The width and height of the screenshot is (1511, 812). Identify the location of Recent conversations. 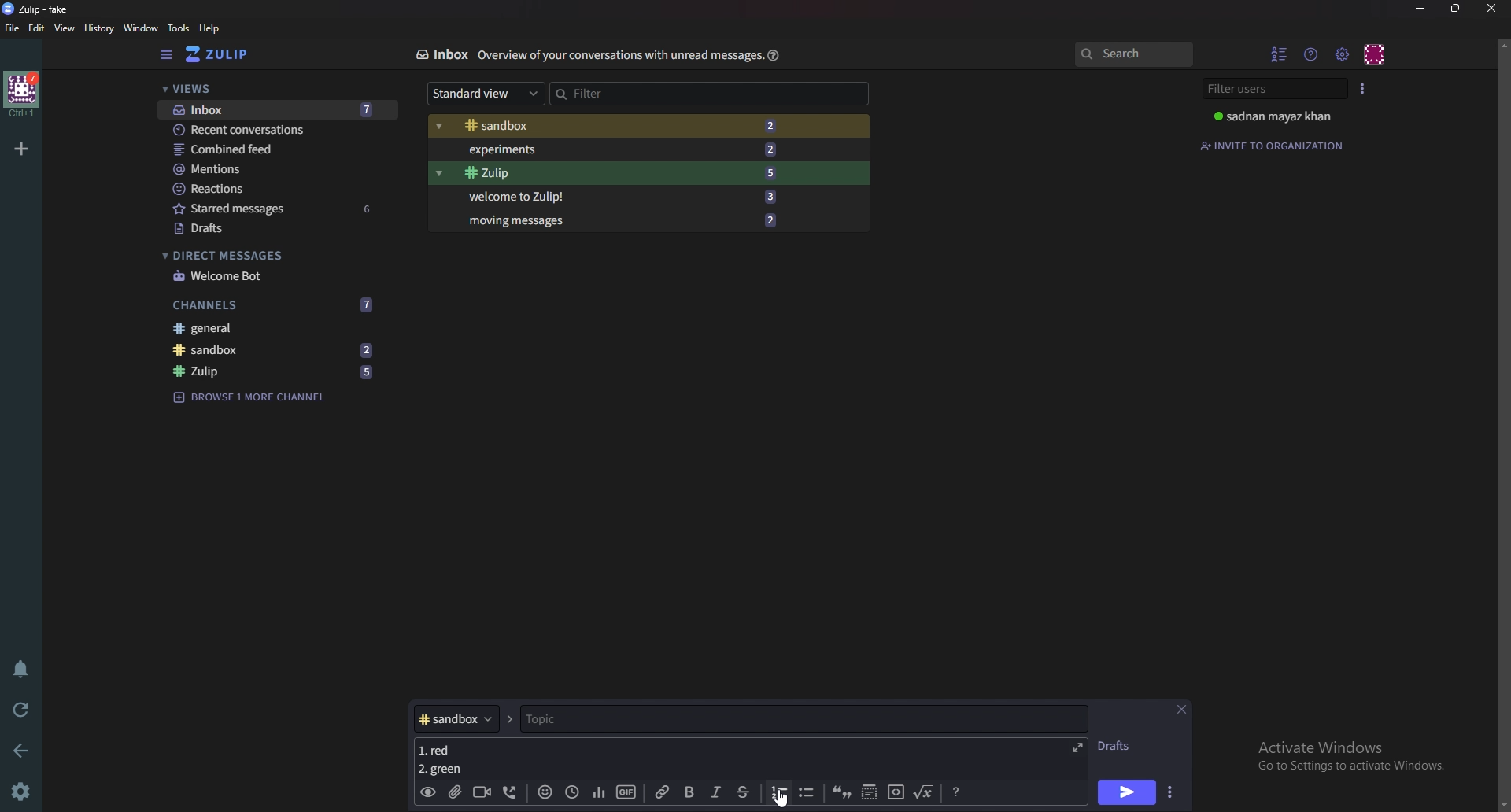
(278, 131).